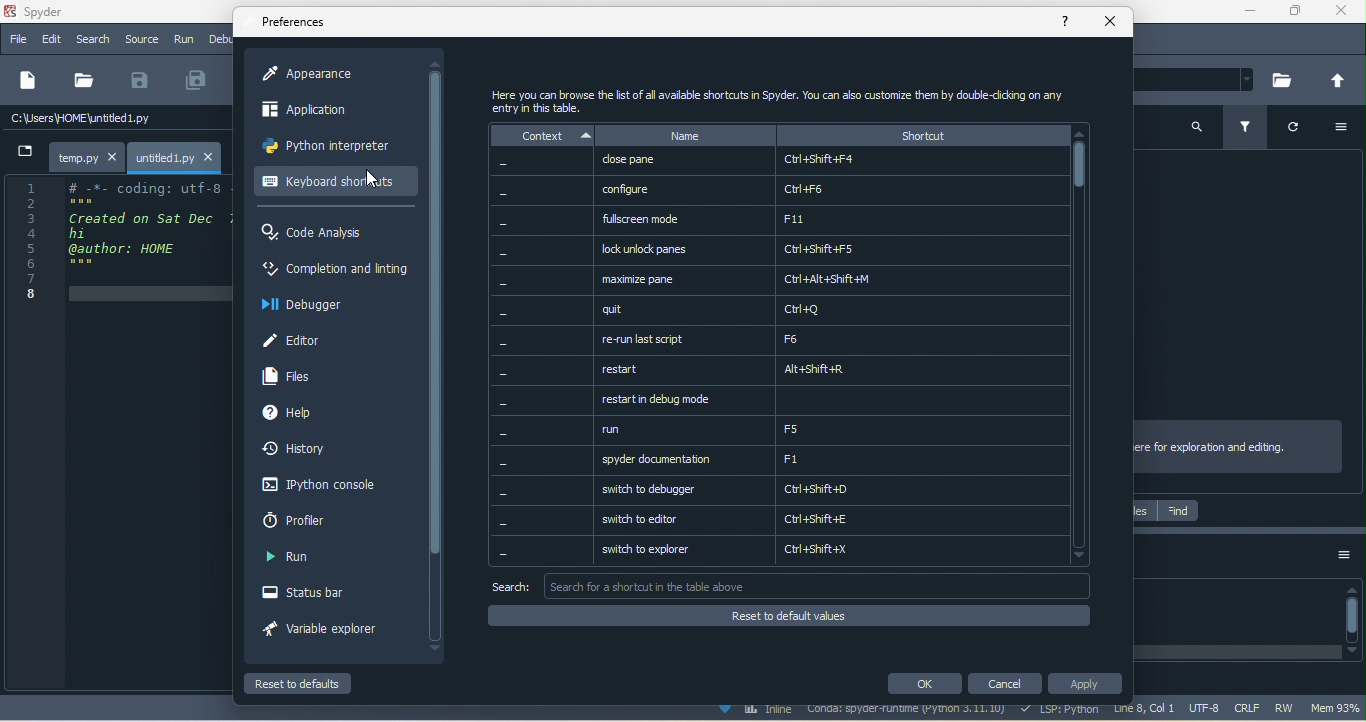 This screenshot has height=722, width=1366. I want to click on minimize, so click(1255, 13).